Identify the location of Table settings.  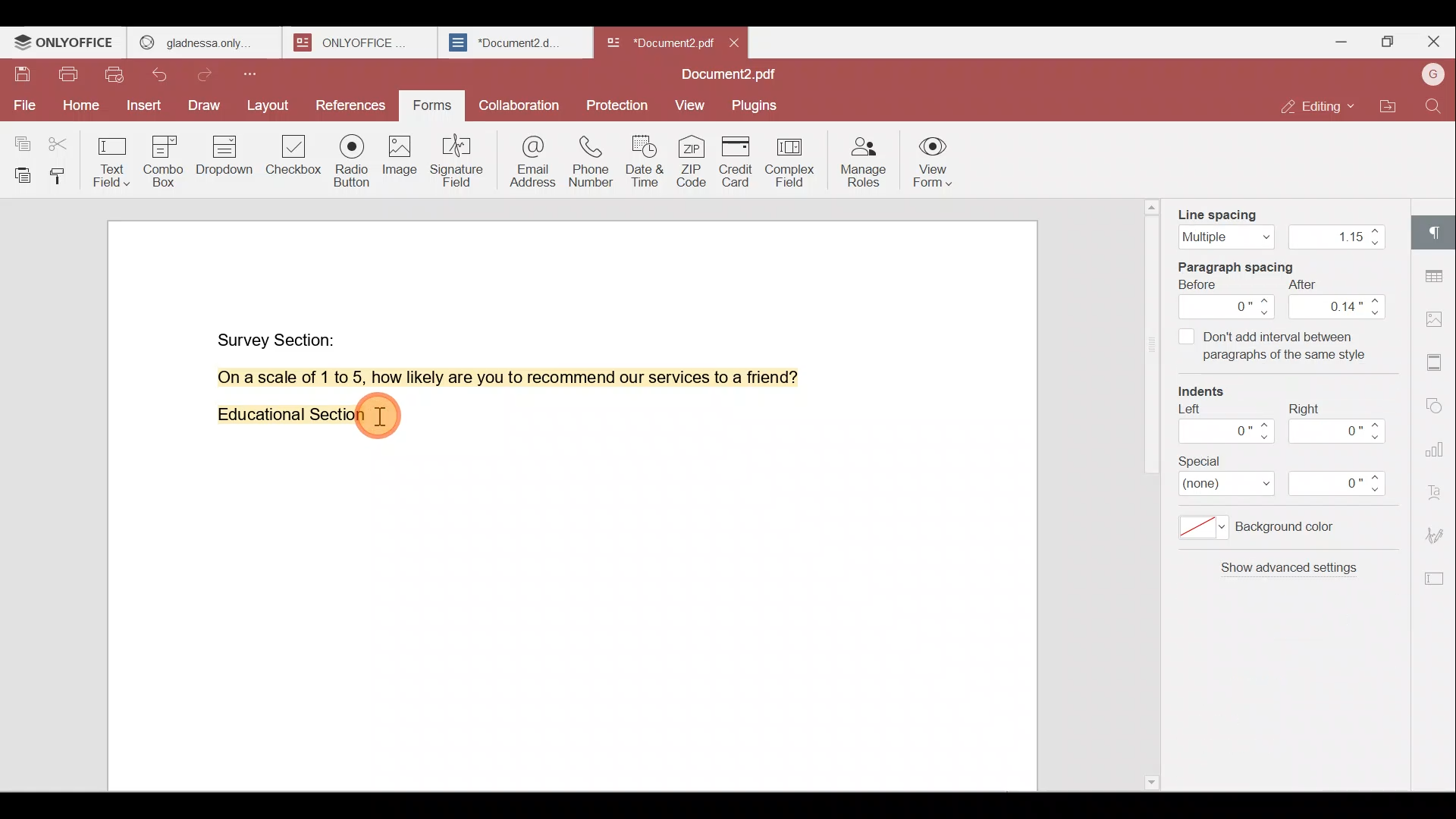
(1436, 272).